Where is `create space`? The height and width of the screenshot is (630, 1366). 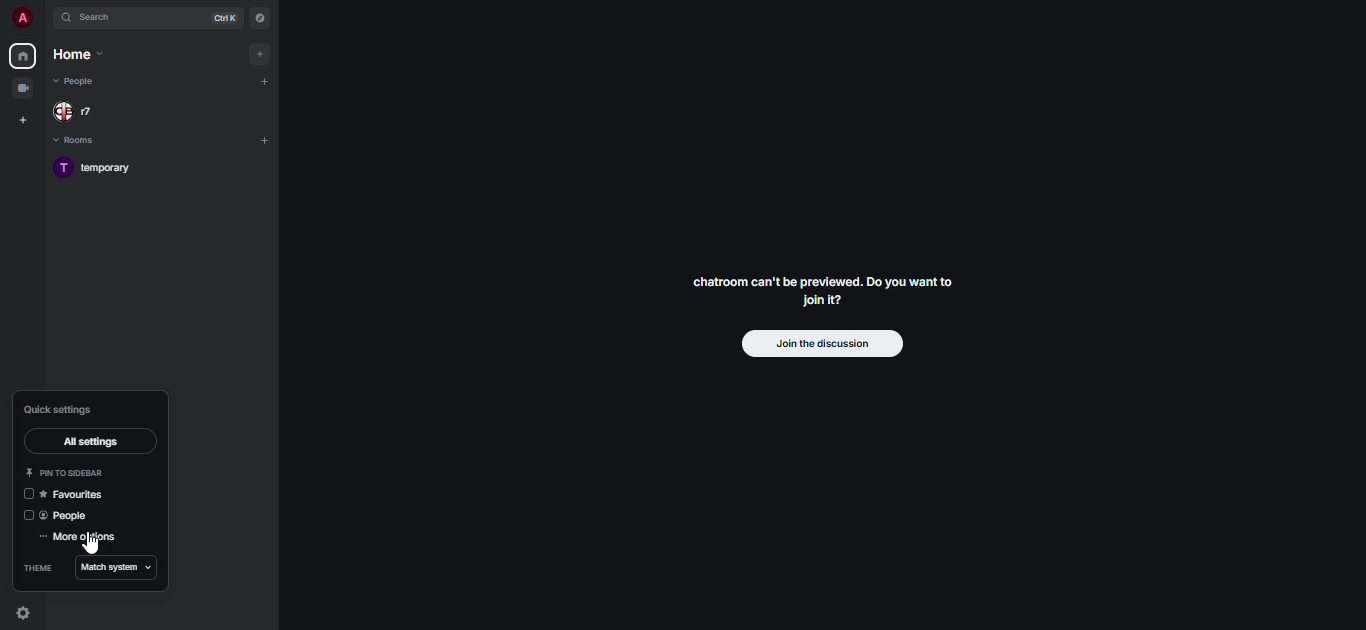
create space is located at coordinates (24, 121).